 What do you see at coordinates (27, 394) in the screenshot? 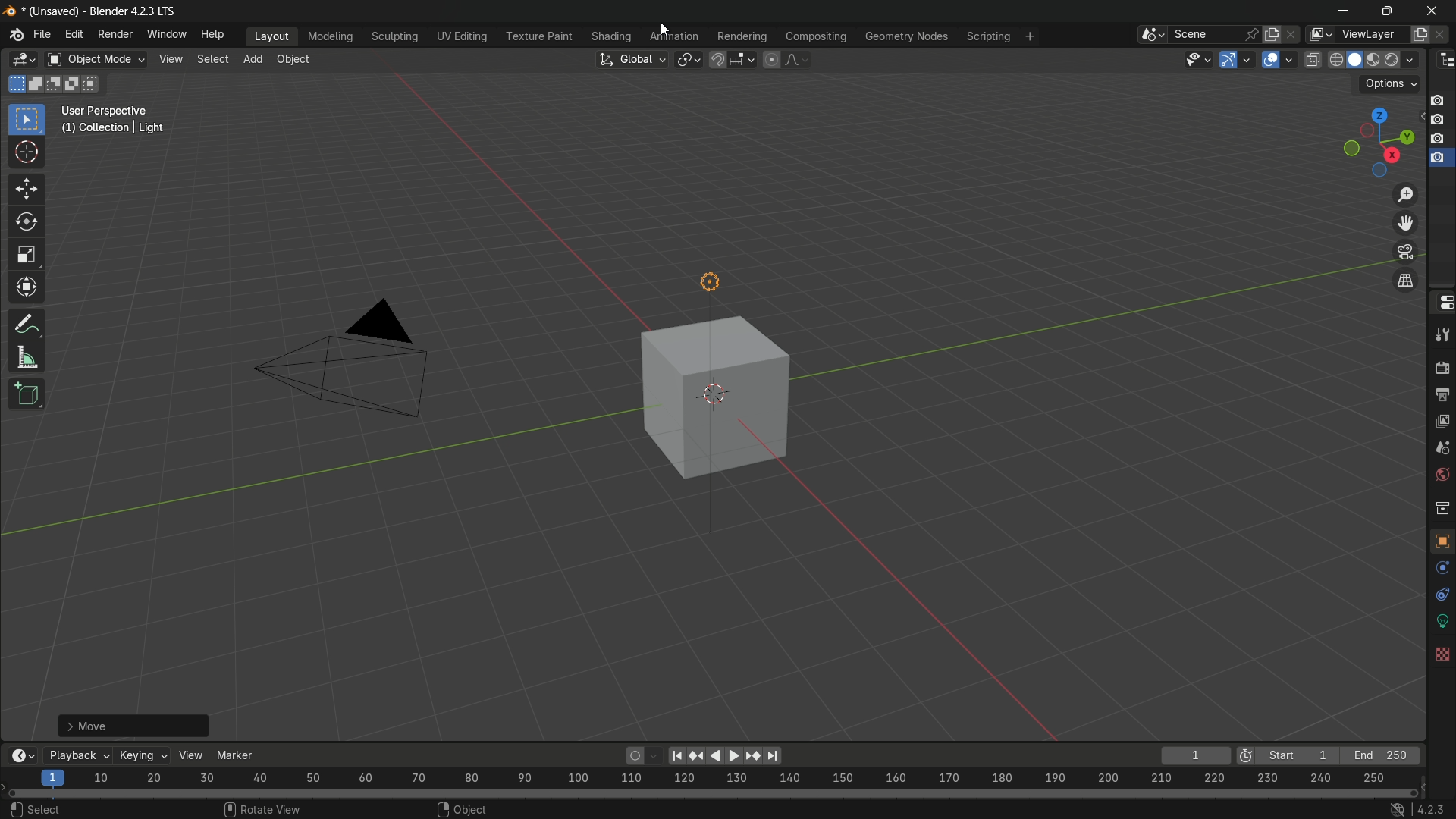
I see `add cube` at bounding box center [27, 394].